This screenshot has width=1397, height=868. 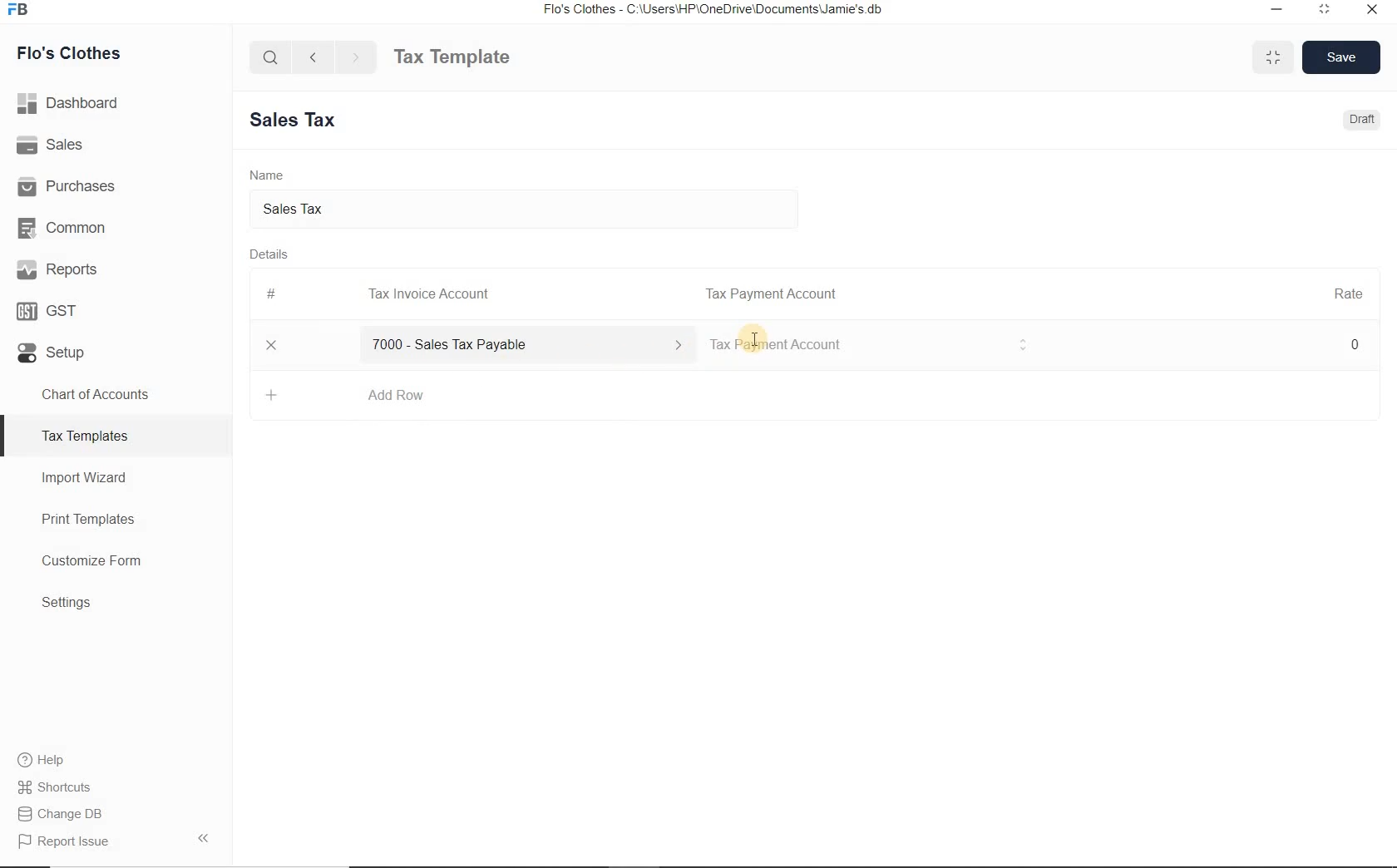 What do you see at coordinates (116, 787) in the screenshot?
I see `Shortcuts` at bounding box center [116, 787].